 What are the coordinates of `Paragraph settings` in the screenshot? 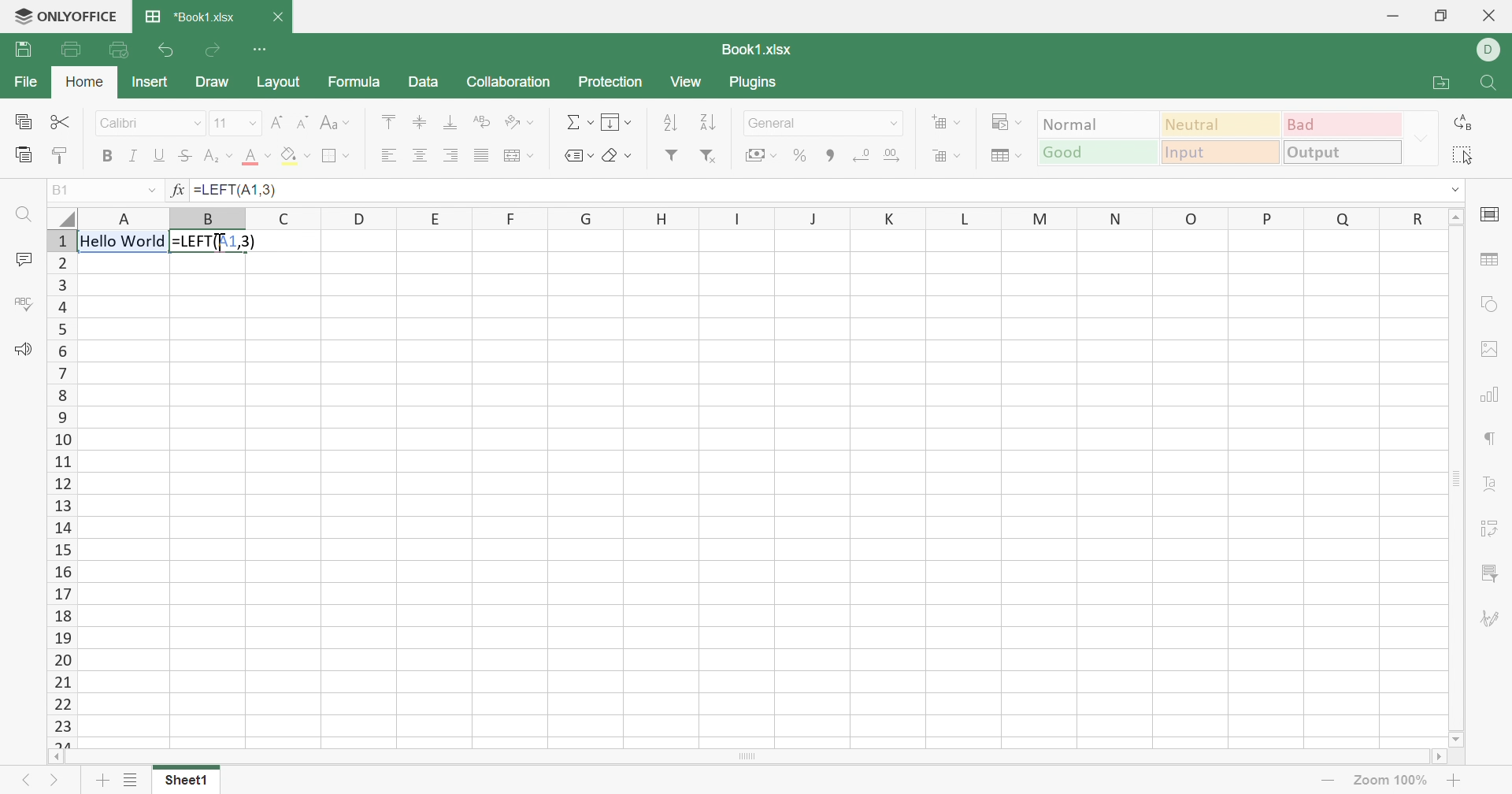 It's located at (1488, 440).